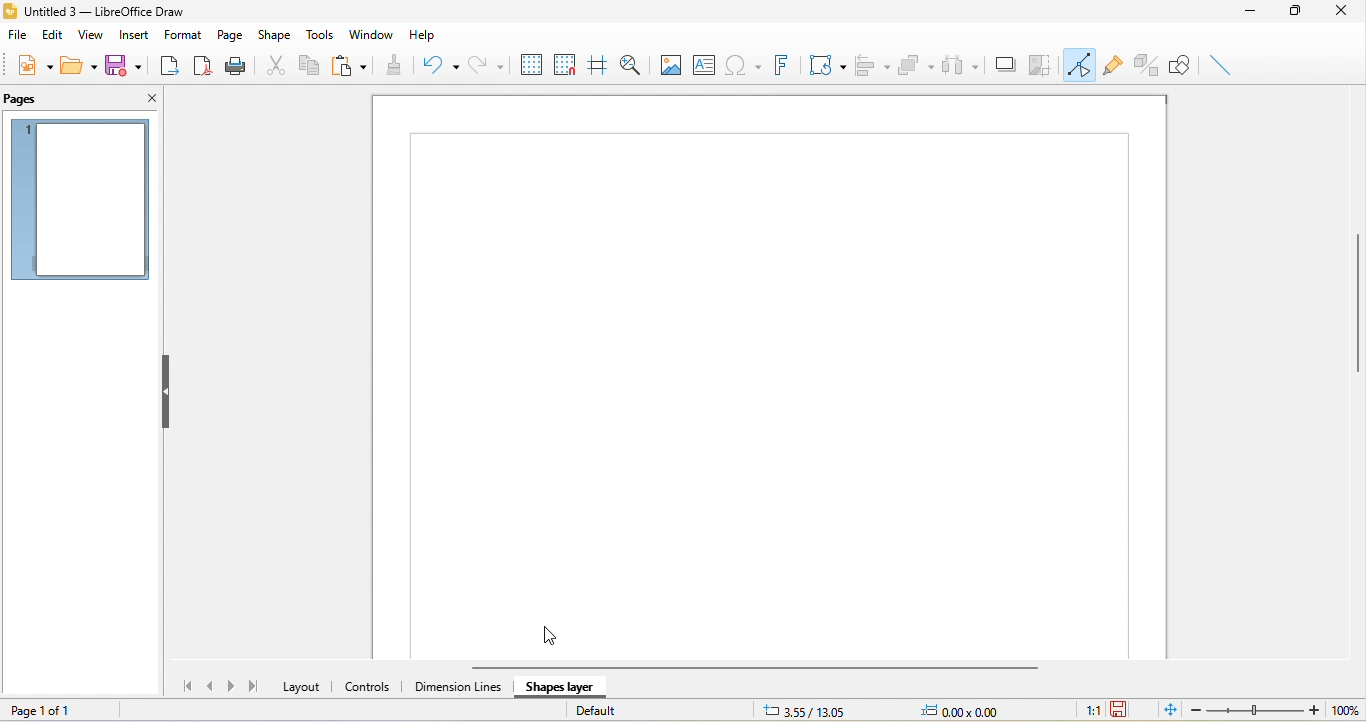 Image resolution: width=1366 pixels, height=722 pixels. I want to click on special character, so click(741, 66).